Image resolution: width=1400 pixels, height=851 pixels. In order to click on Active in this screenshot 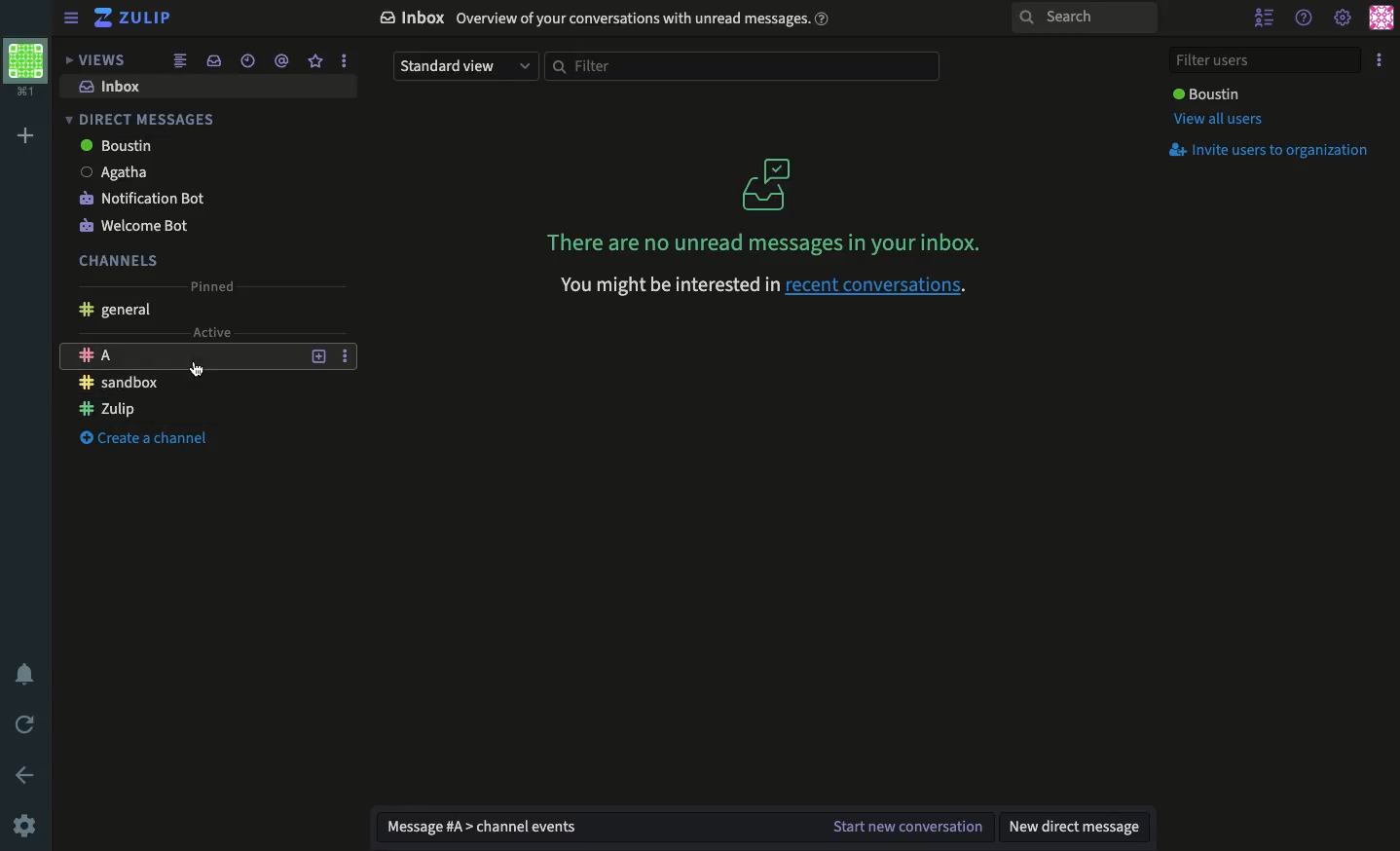, I will do `click(204, 332)`.